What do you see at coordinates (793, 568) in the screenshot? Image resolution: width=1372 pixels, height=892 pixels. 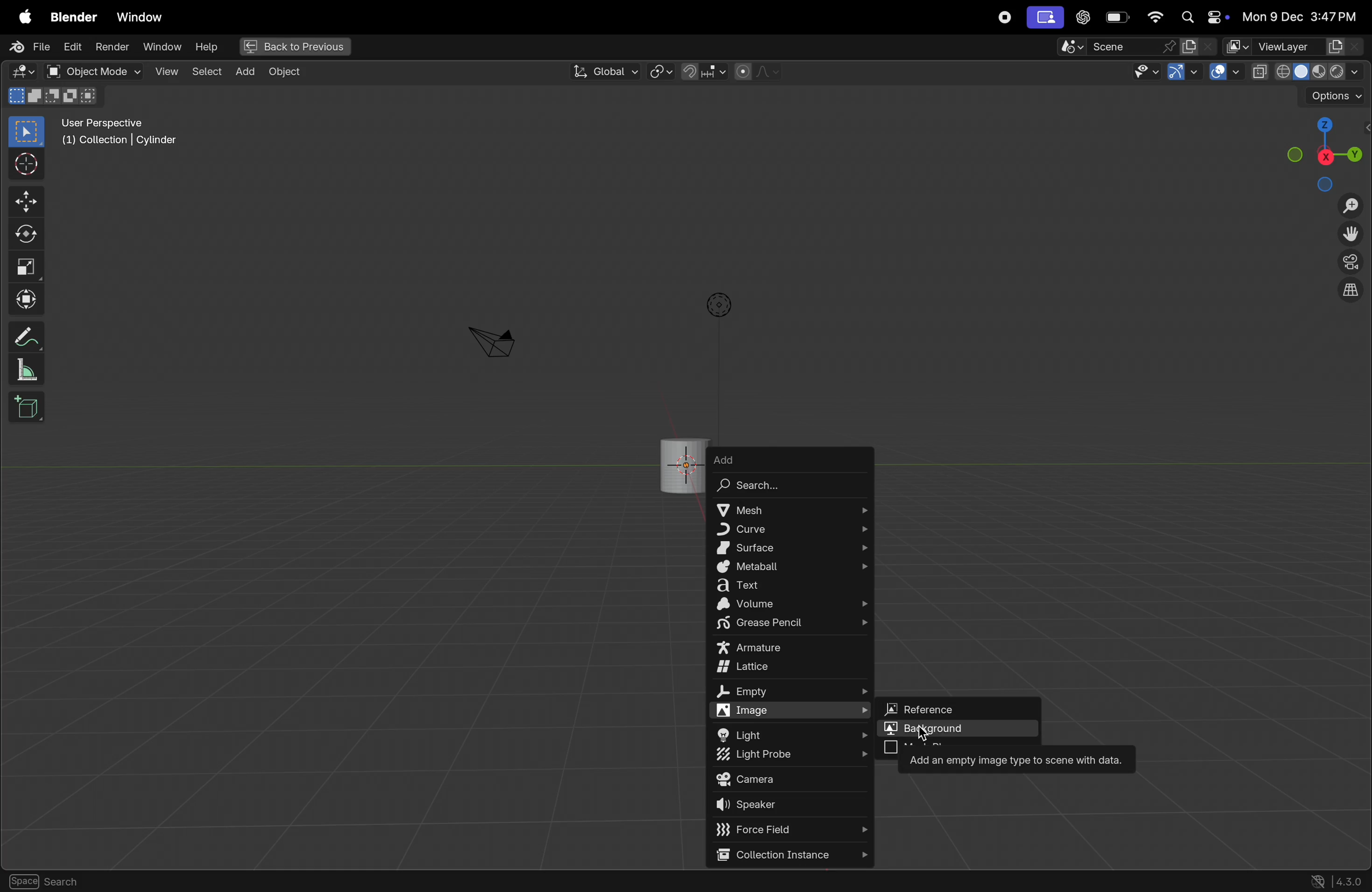 I see `metaball` at bounding box center [793, 568].